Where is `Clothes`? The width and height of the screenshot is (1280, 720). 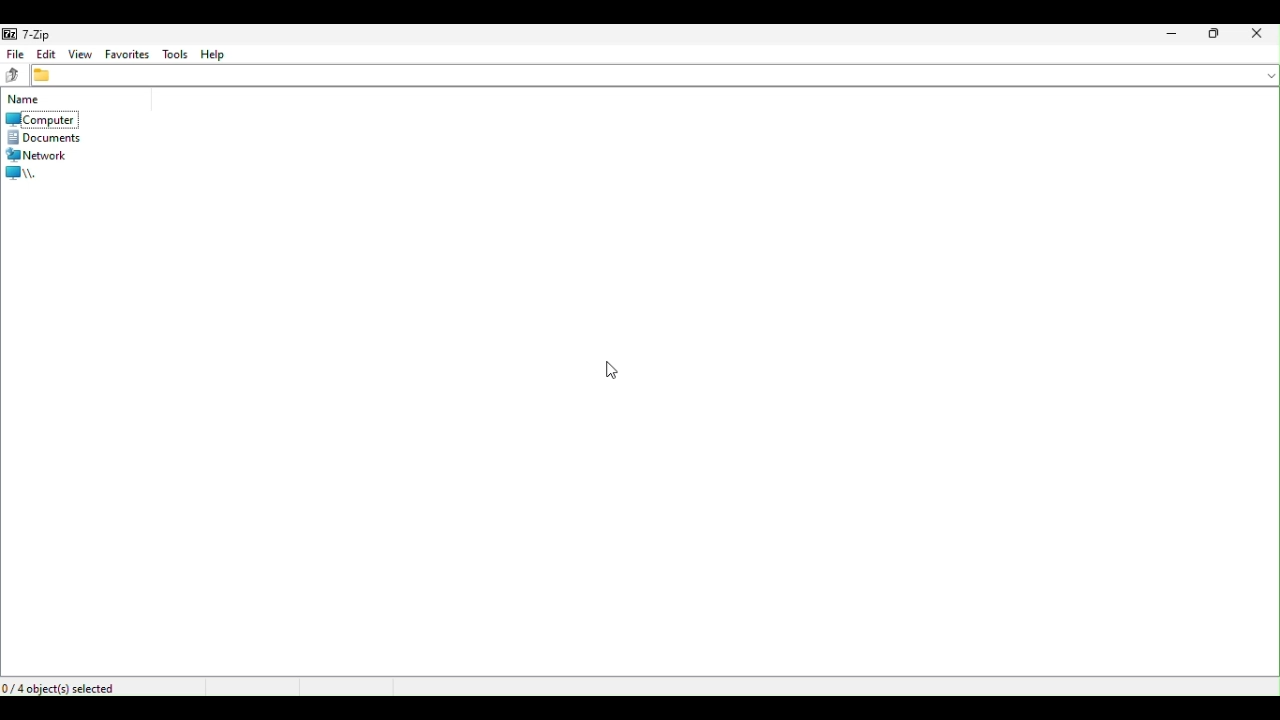
Clothes is located at coordinates (1261, 33).